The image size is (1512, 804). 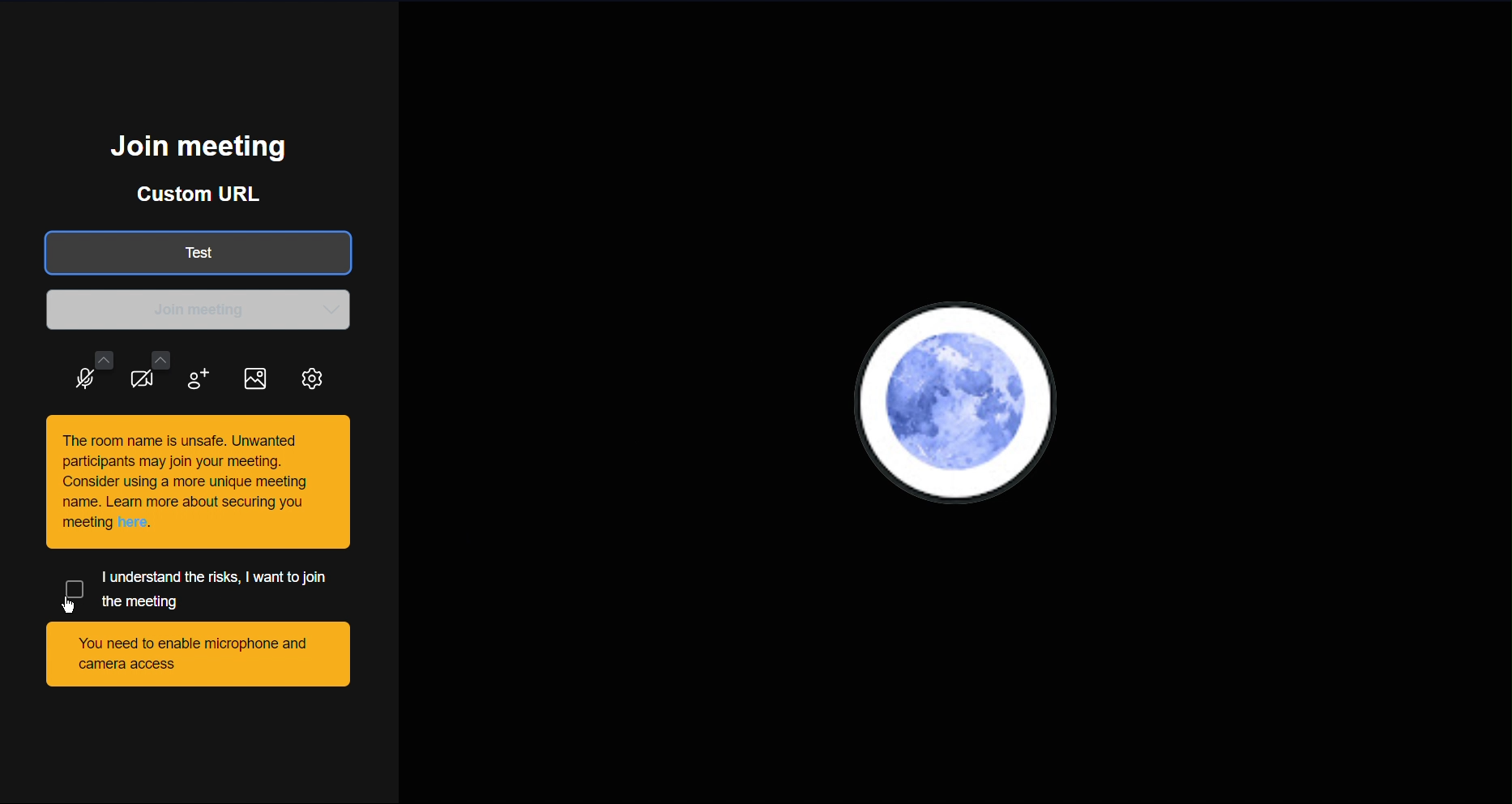 What do you see at coordinates (149, 372) in the screenshot?
I see `Video` at bounding box center [149, 372].